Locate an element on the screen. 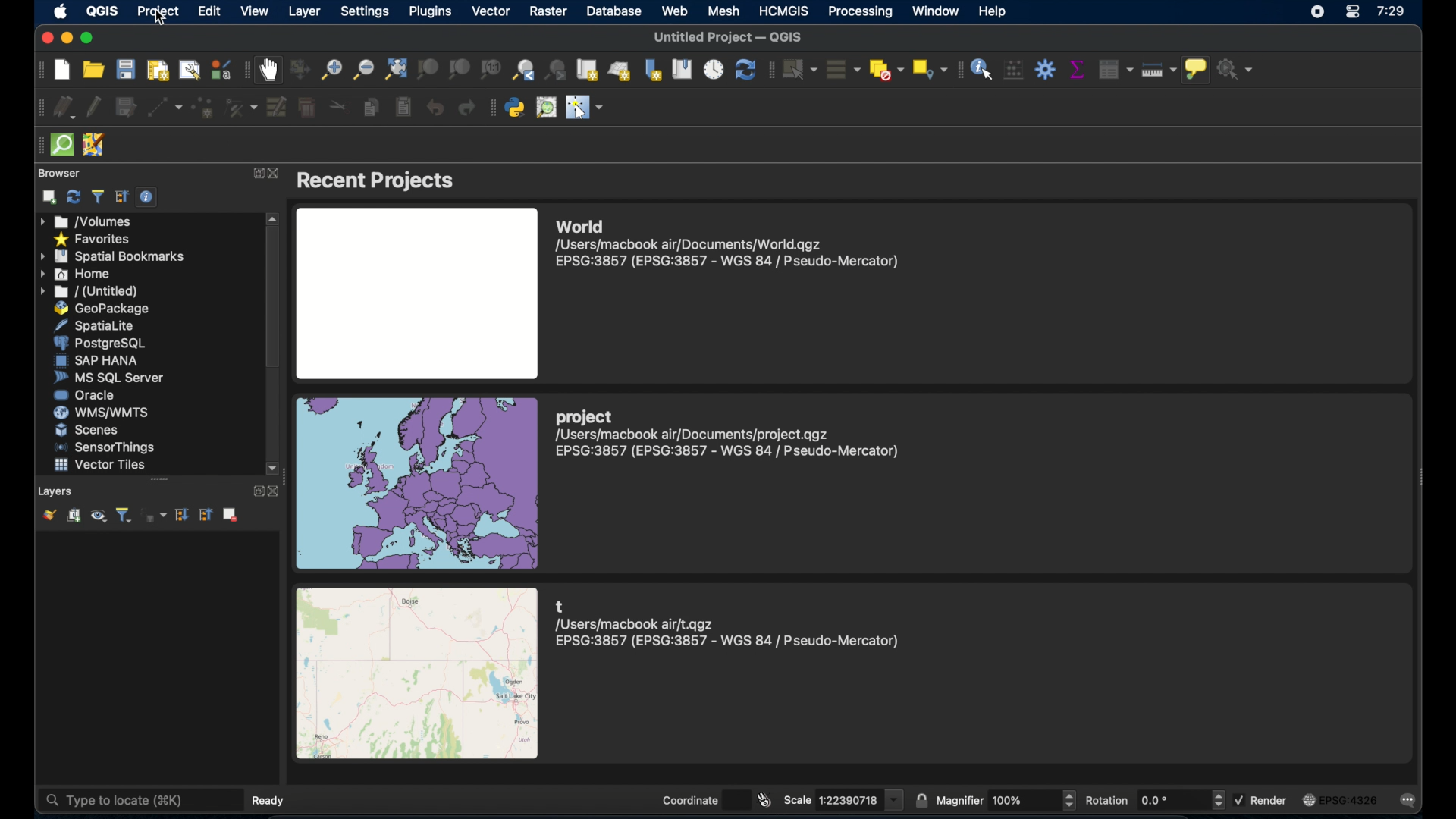 The width and height of the screenshot is (1456, 819). scroll up arrow is located at coordinates (274, 218).